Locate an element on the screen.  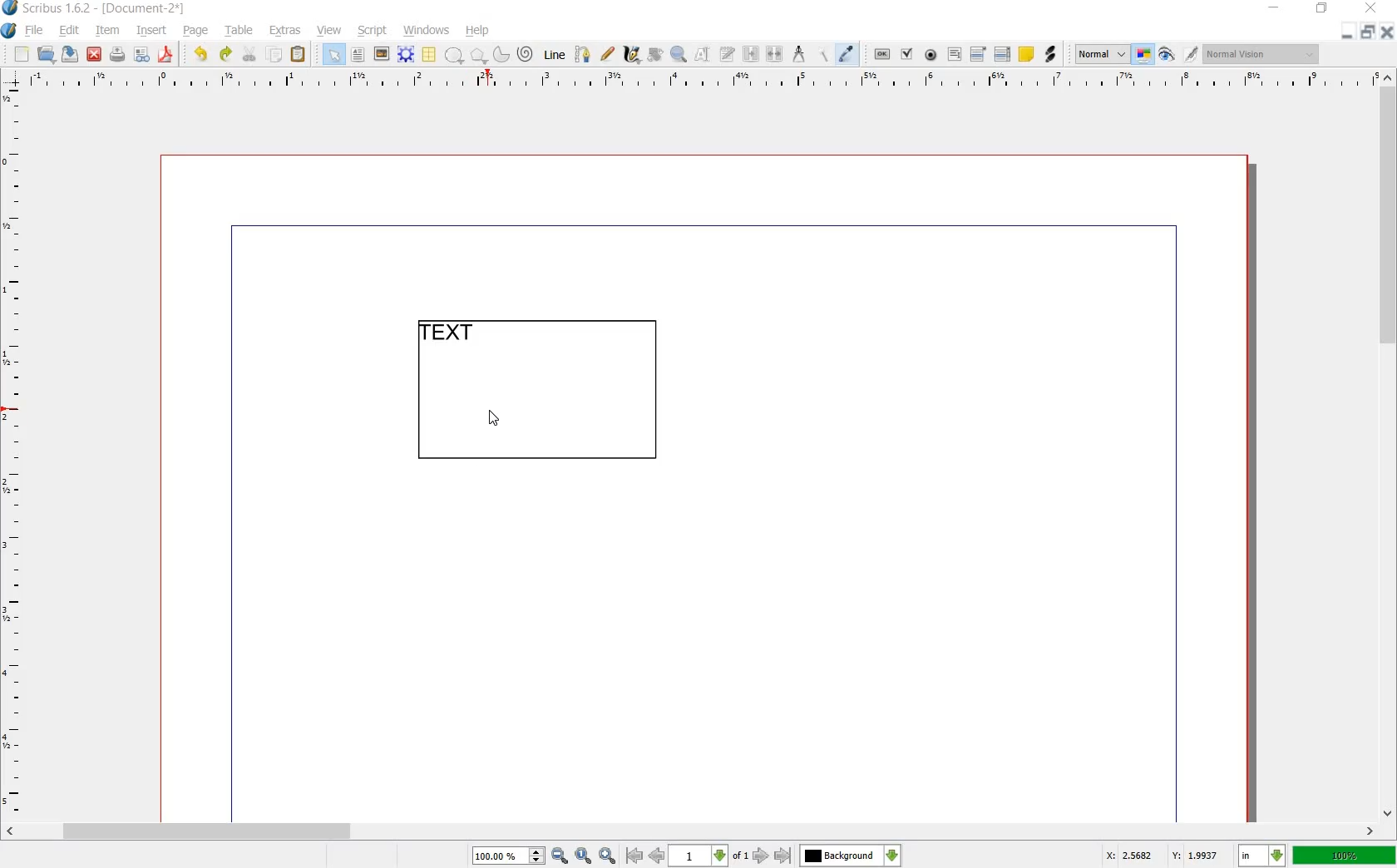
close is located at coordinates (1385, 32).